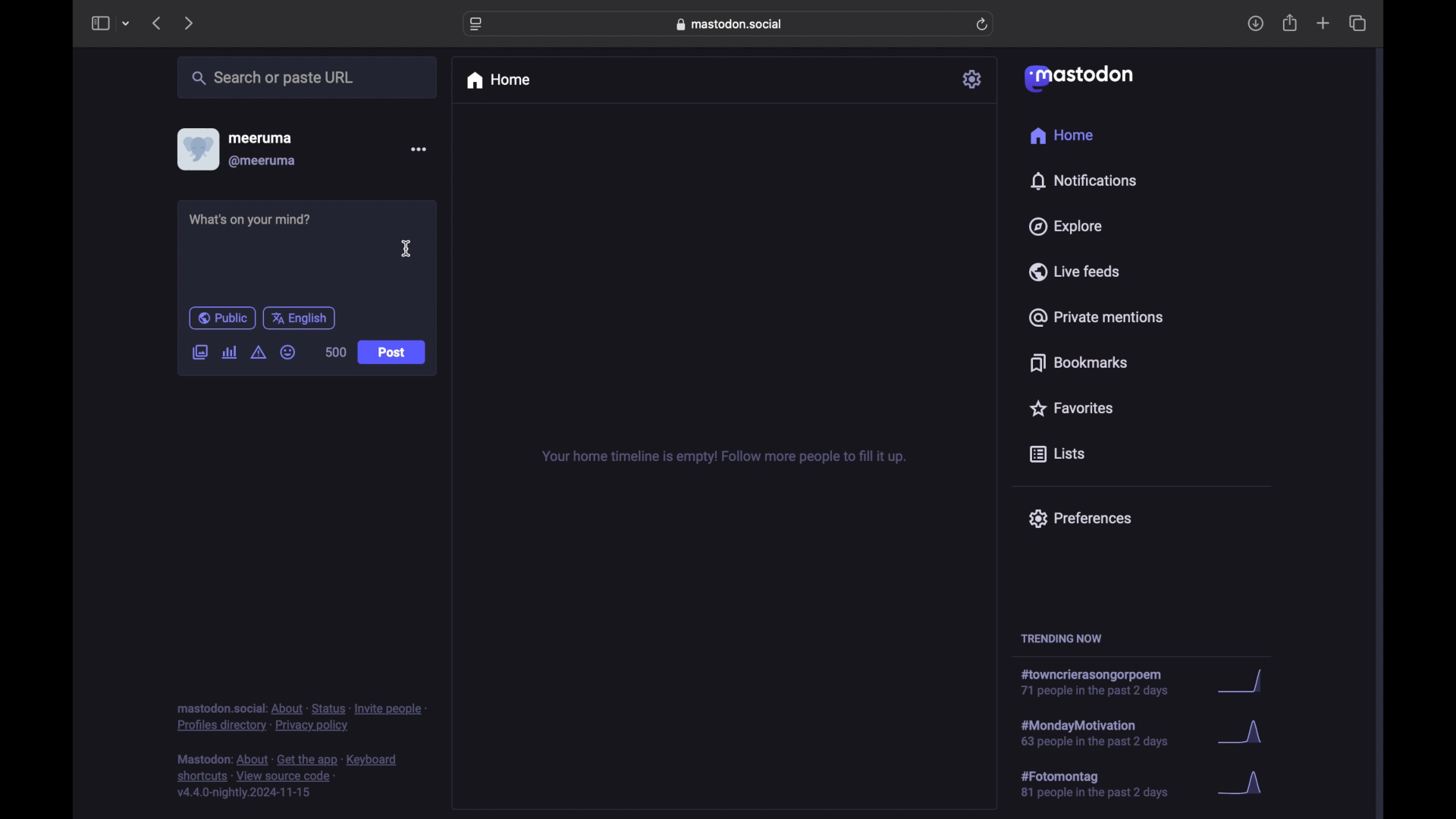 The image size is (1456, 819). I want to click on private mentions, so click(1095, 317).